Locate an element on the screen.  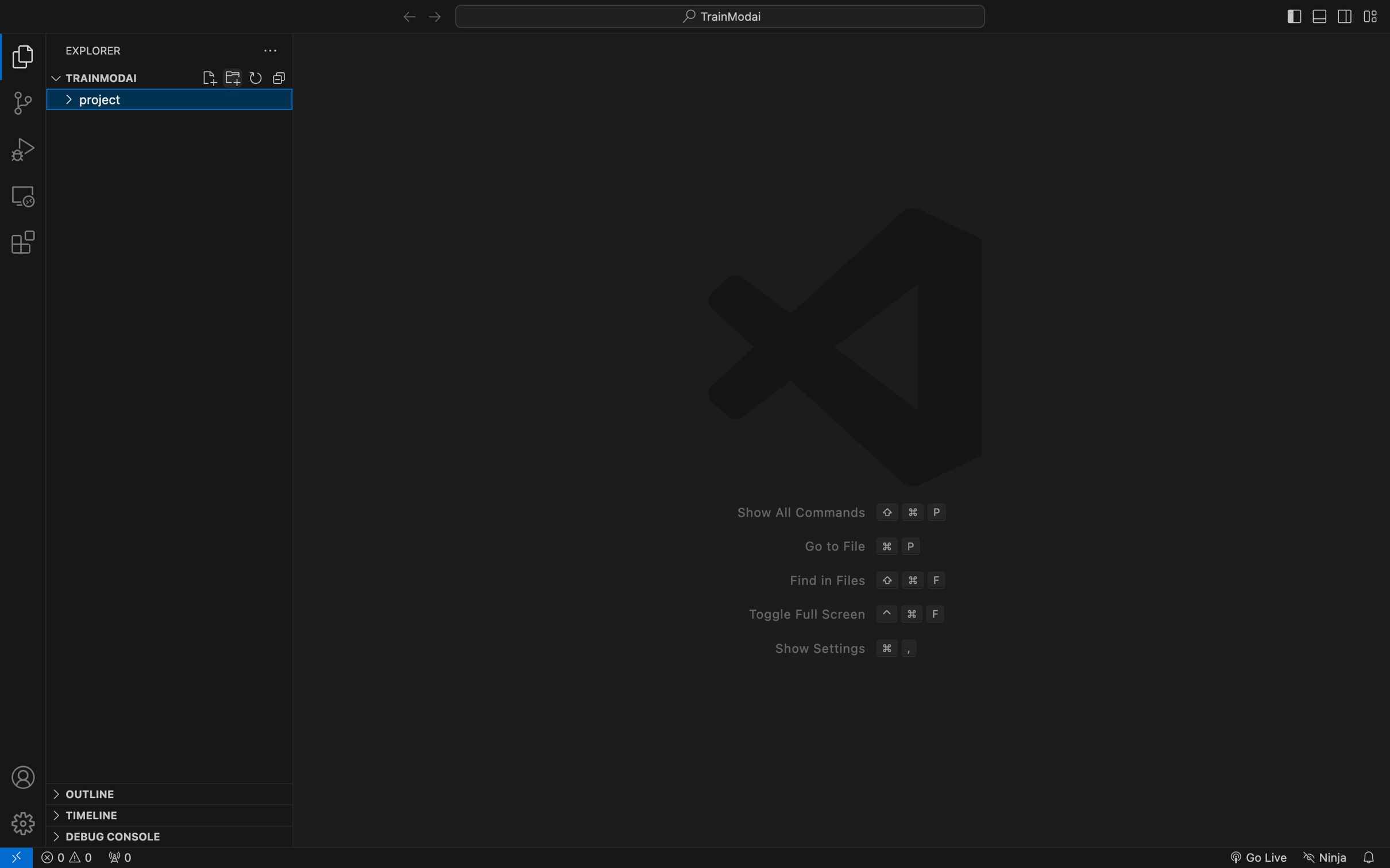
explorer is located at coordinates (96, 49).